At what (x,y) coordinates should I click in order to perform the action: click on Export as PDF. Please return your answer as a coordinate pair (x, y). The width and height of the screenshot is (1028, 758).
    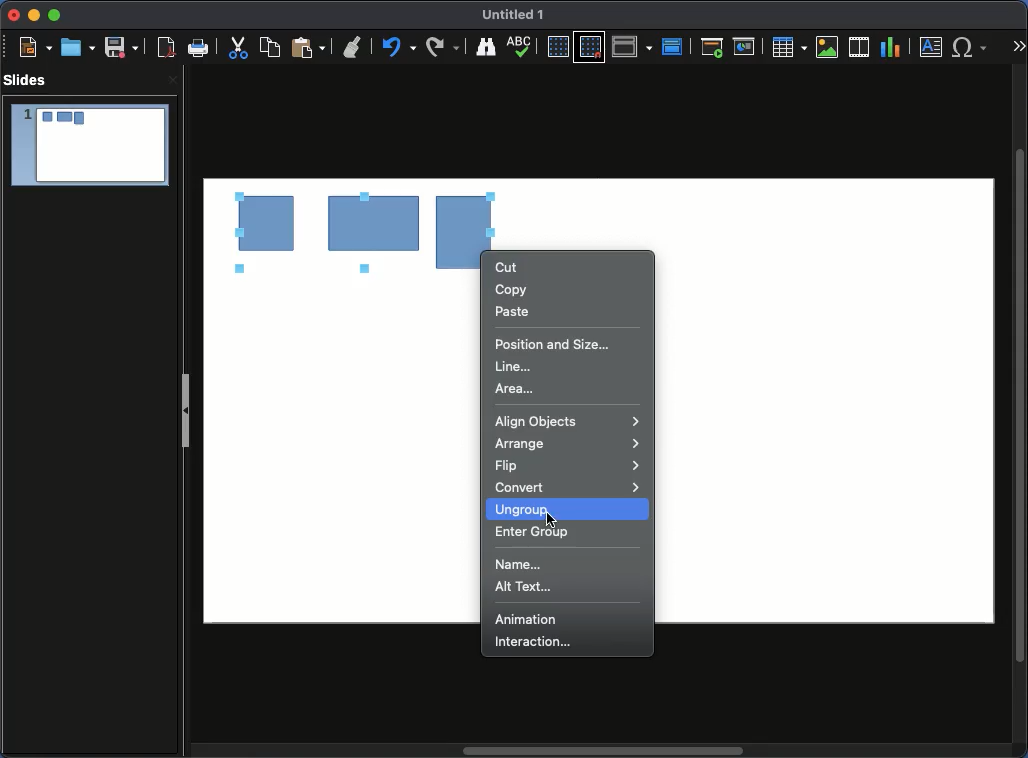
    Looking at the image, I should click on (163, 48).